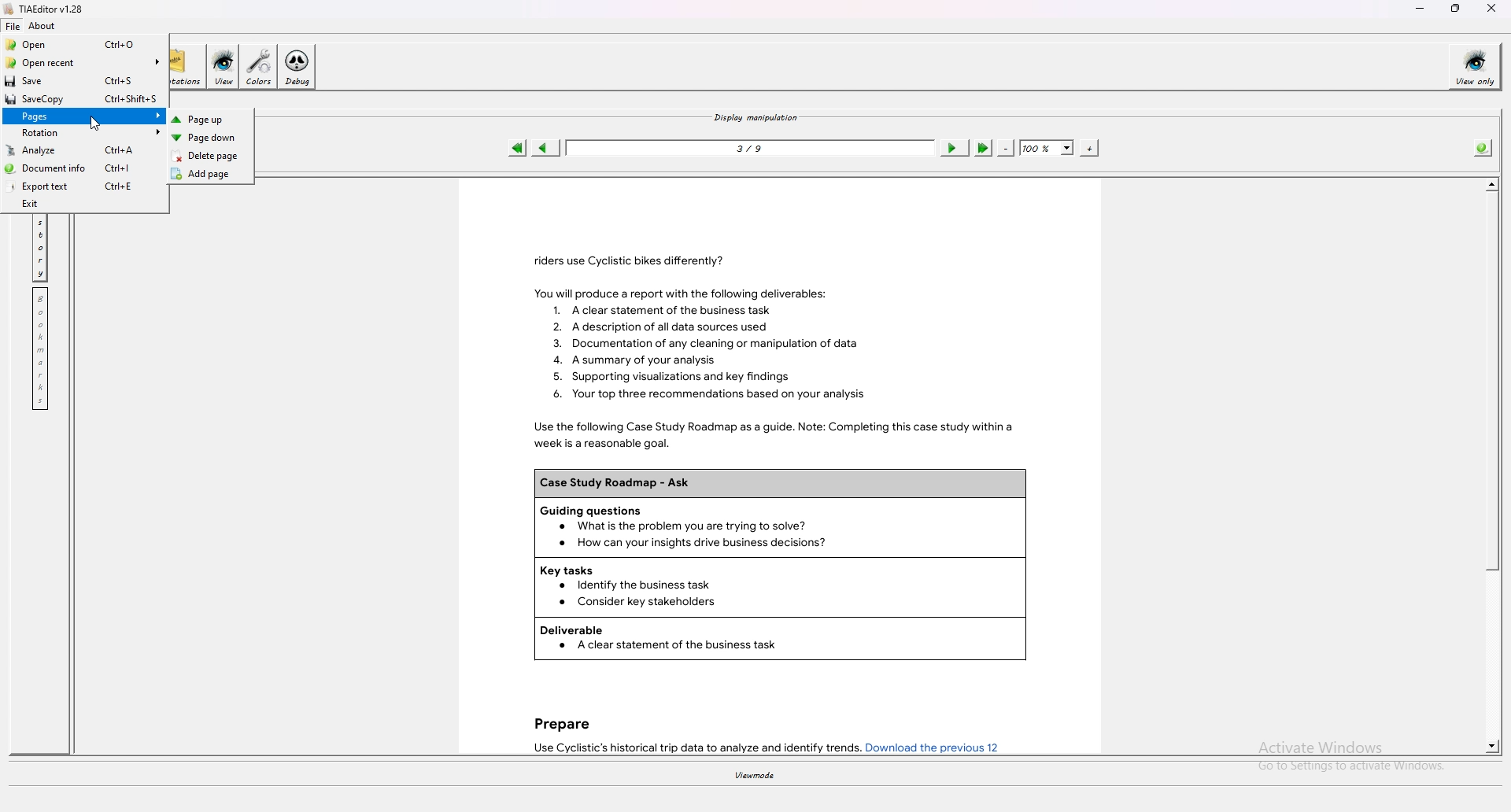 This screenshot has height=812, width=1511. Describe the element at coordinates (561, 721) in the screenshot. I see `Prepare` at that location.